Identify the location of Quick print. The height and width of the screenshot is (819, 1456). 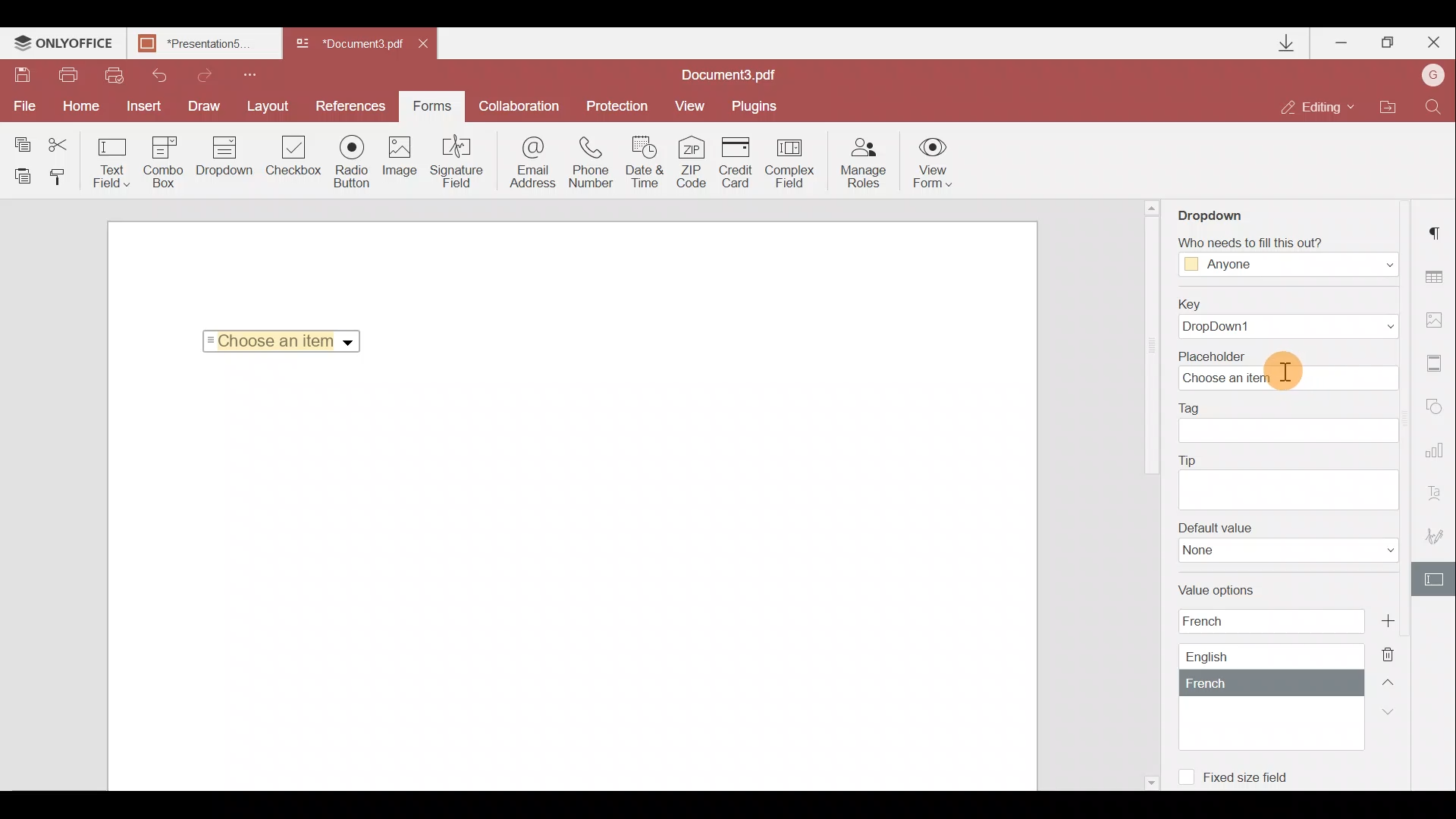
(112, 74).